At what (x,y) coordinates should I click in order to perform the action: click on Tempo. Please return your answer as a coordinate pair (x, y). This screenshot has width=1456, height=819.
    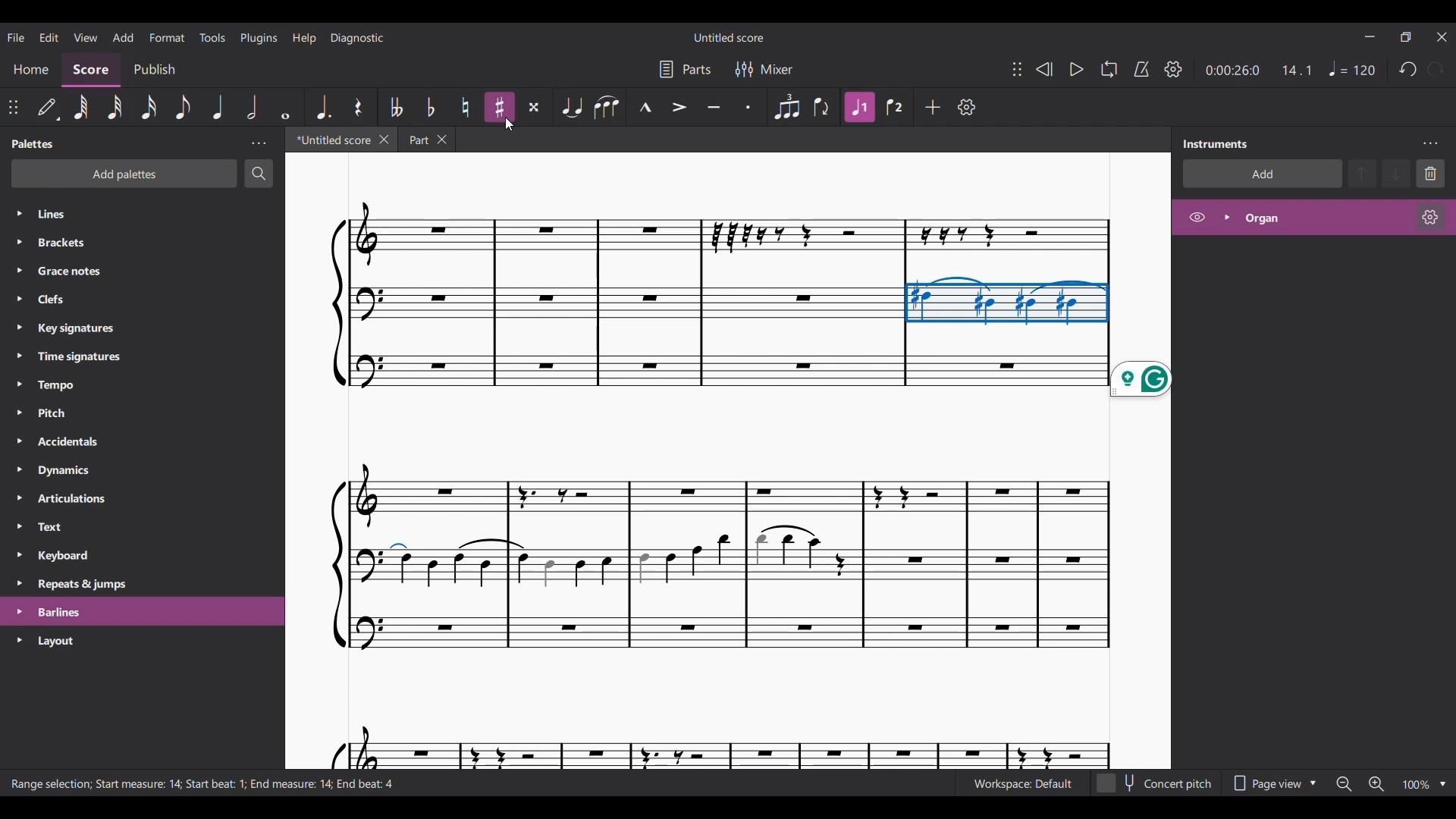
    Looking at the image, I should click on (1351, 68).